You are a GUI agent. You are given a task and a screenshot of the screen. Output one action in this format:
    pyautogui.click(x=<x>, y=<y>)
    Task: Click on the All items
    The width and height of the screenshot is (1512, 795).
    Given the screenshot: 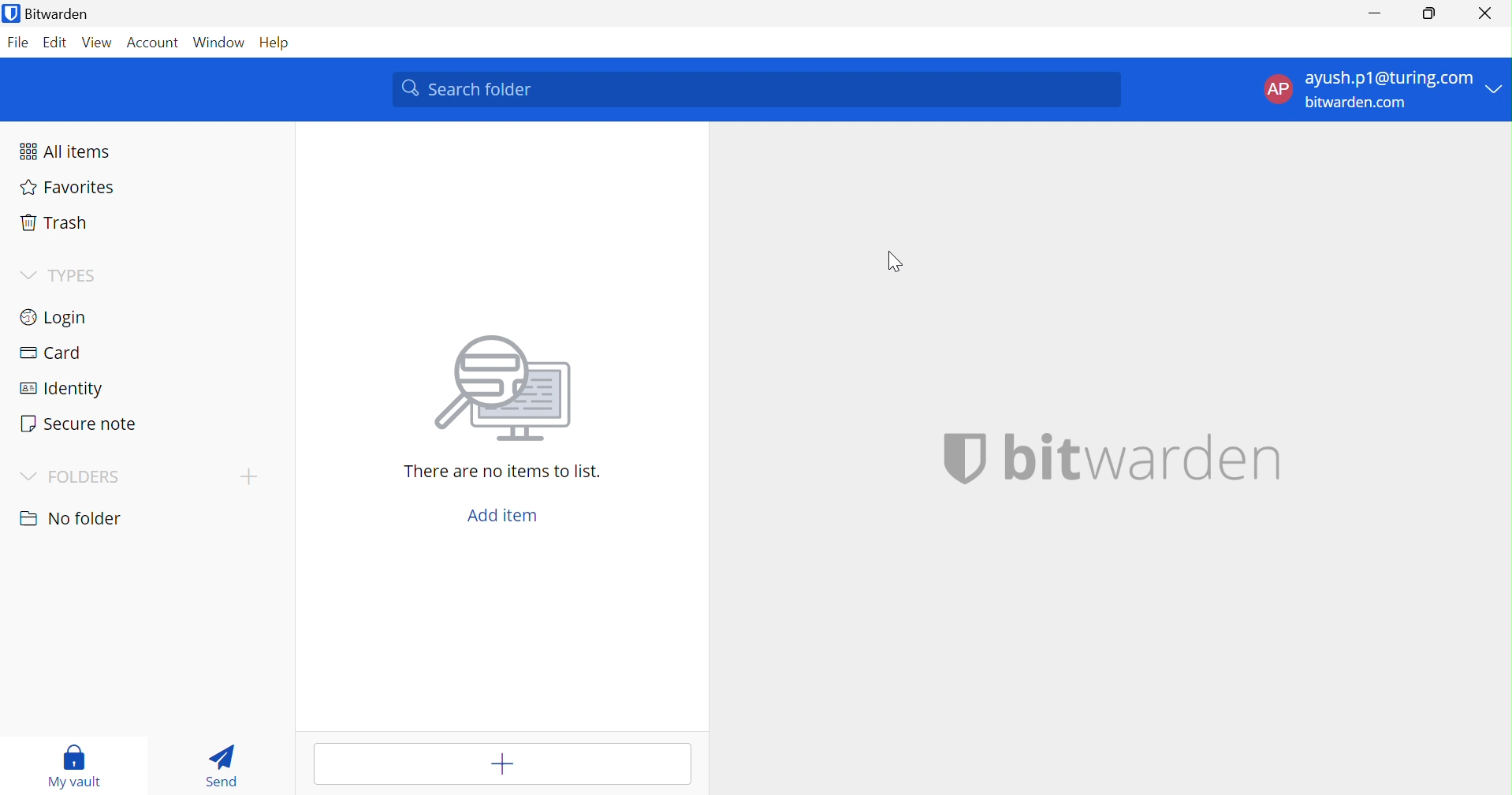 What is the action you would take?
    pyautogui.click(x=69, y=151)
    